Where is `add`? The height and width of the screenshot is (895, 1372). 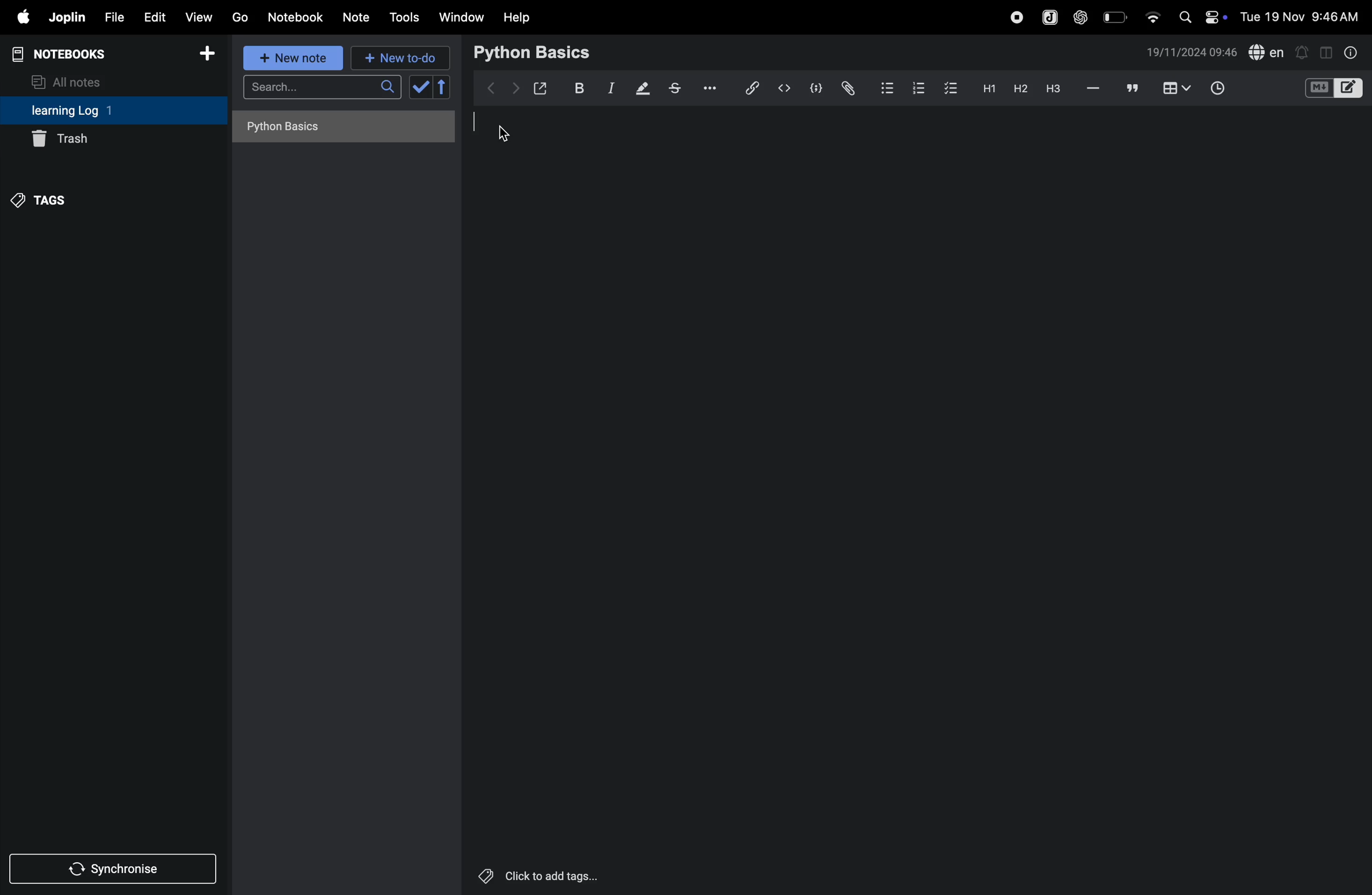 add is located at coordinates (208, 57).